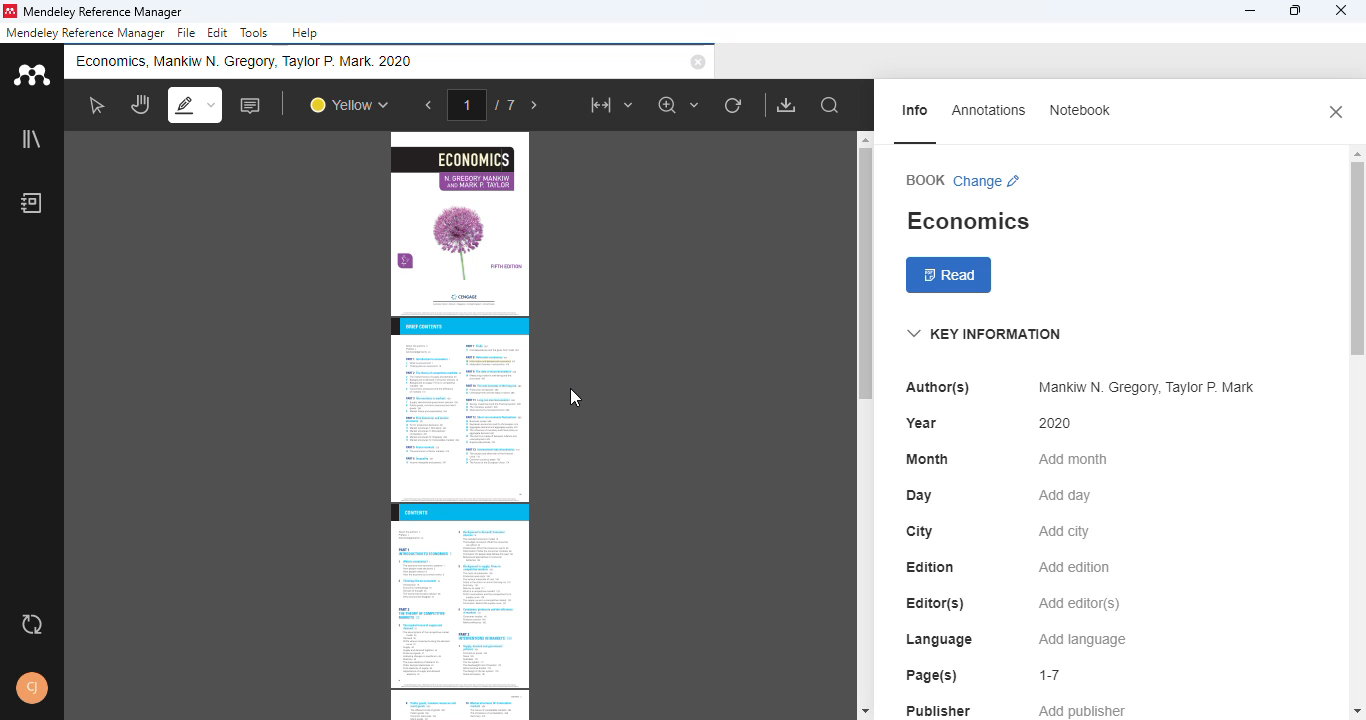 This screenshot has width=1366, height=720. What do you see at coordinates (938, 640) in the screenshot?
I see `language` at bounding box center [938, 640].